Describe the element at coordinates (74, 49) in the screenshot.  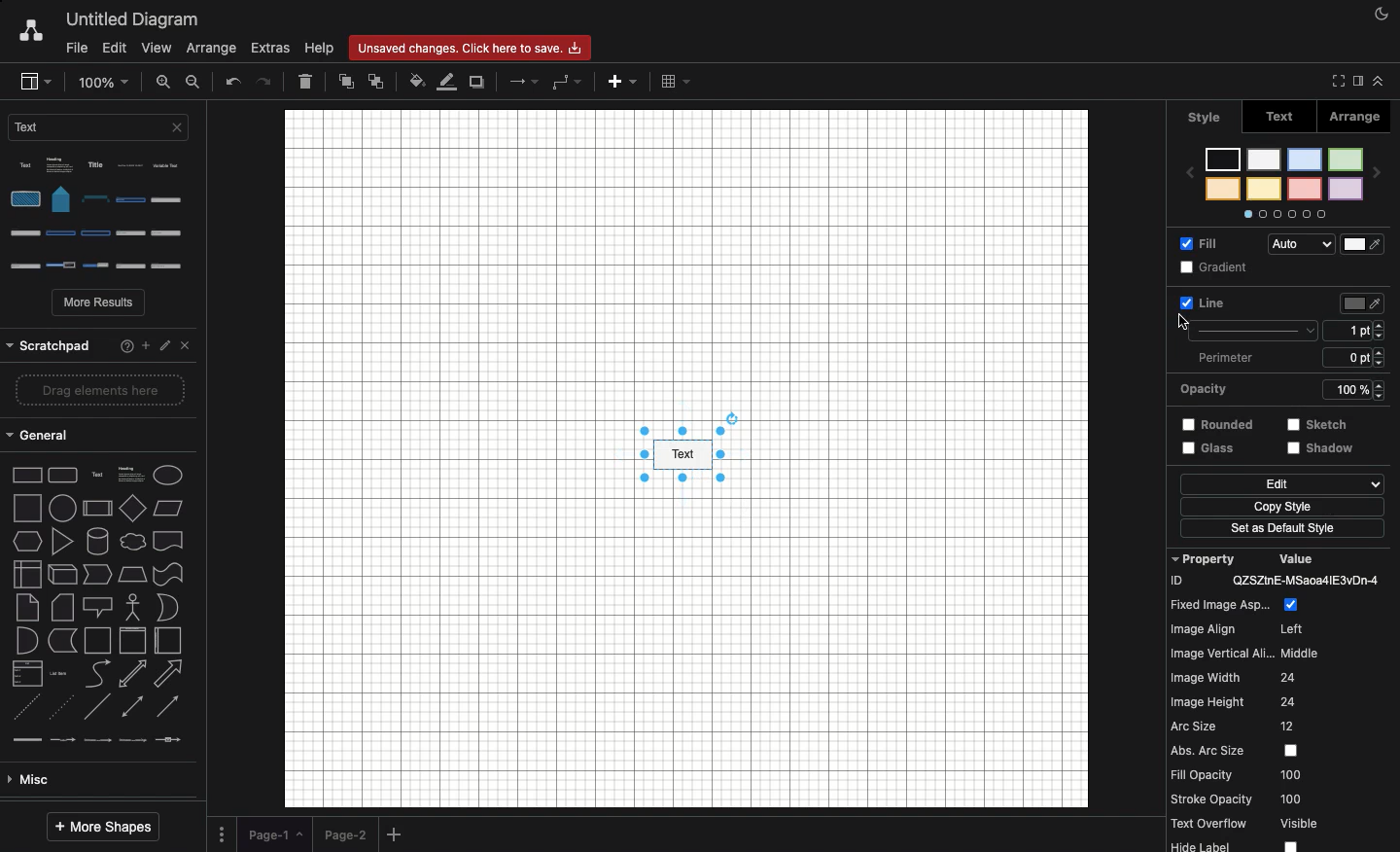
I see `File` at that location.